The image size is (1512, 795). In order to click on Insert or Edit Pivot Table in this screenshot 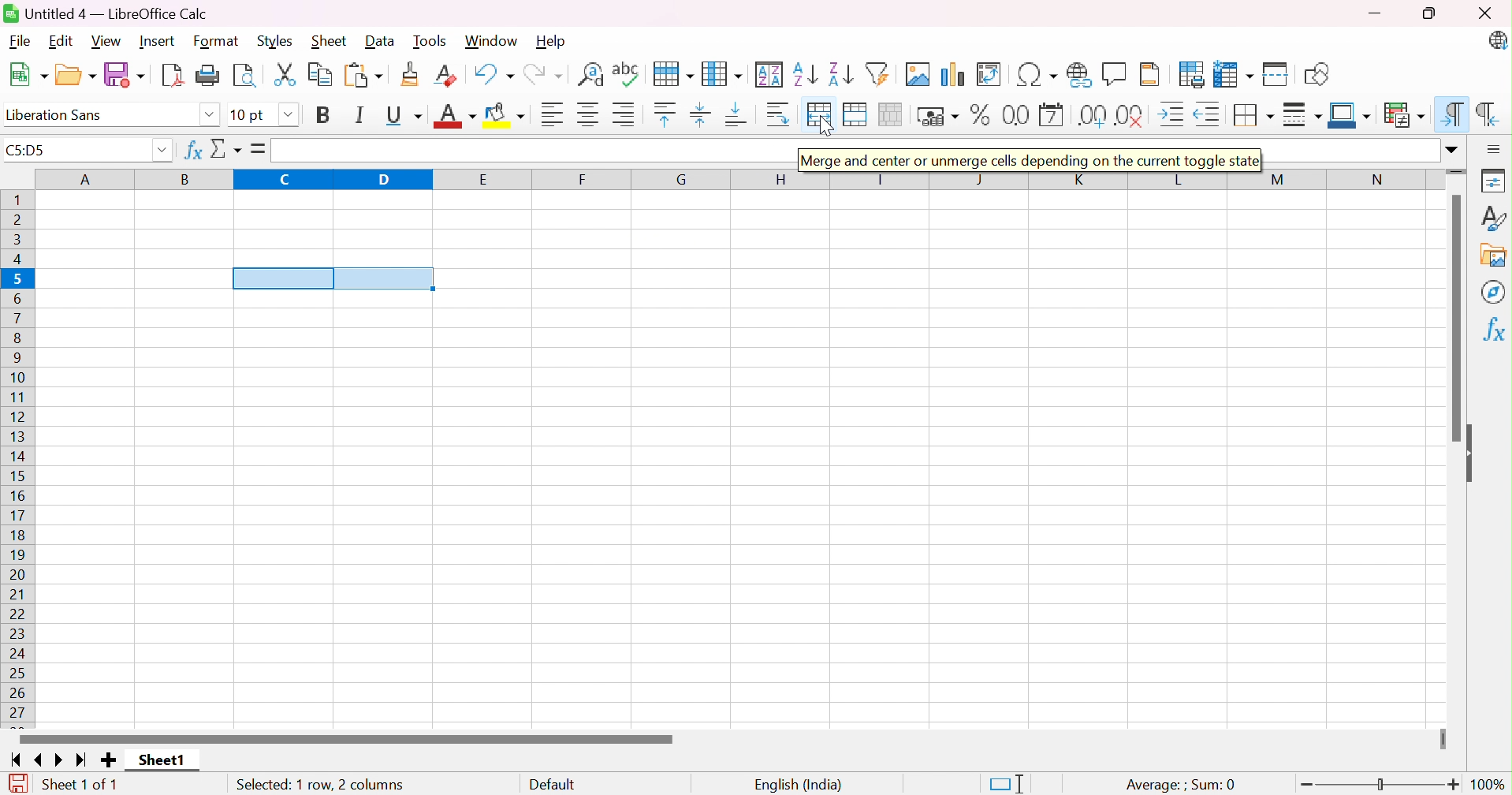, I will do `click(991, 74)`.